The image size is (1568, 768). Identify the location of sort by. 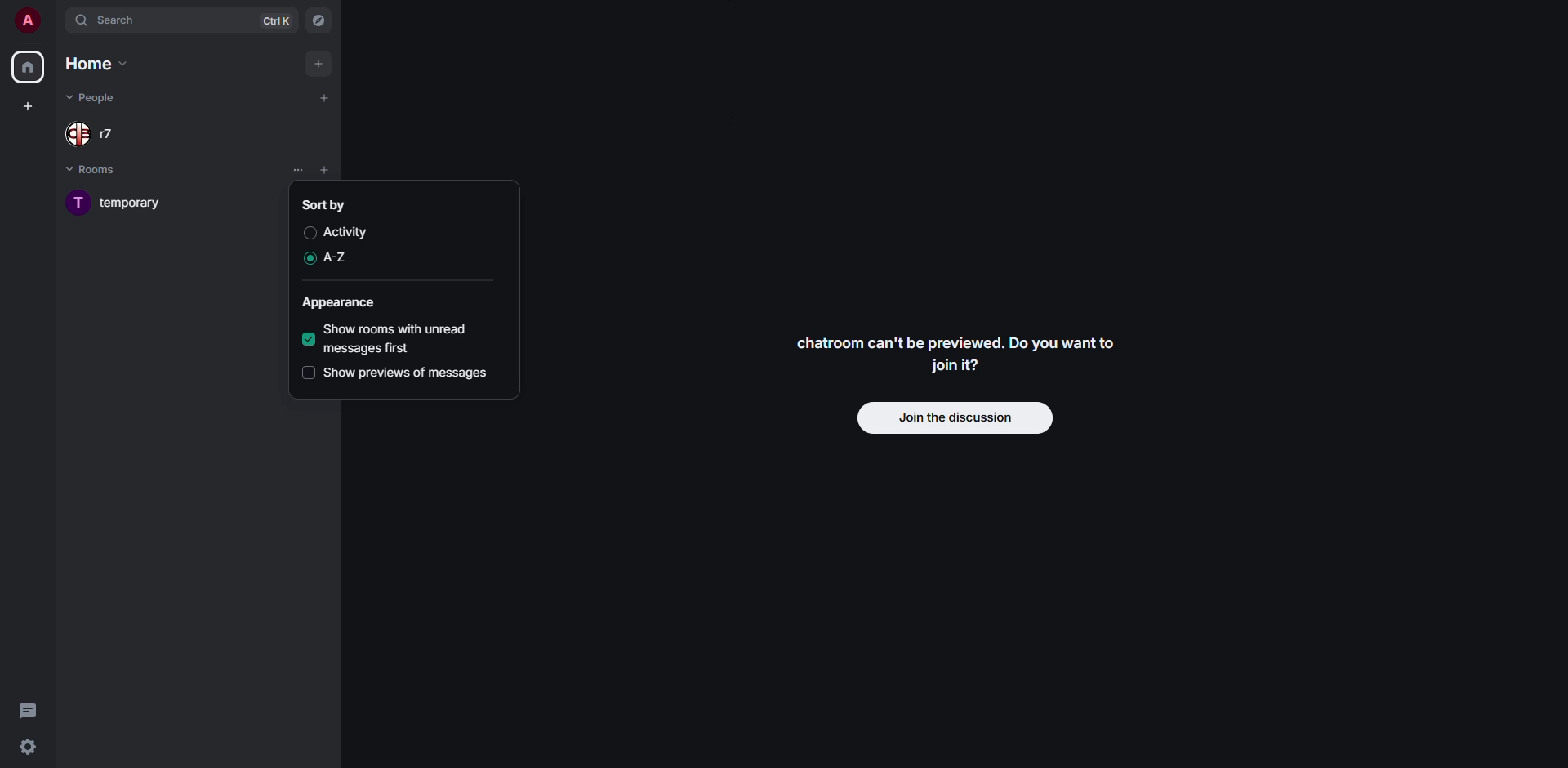
(324, 203).